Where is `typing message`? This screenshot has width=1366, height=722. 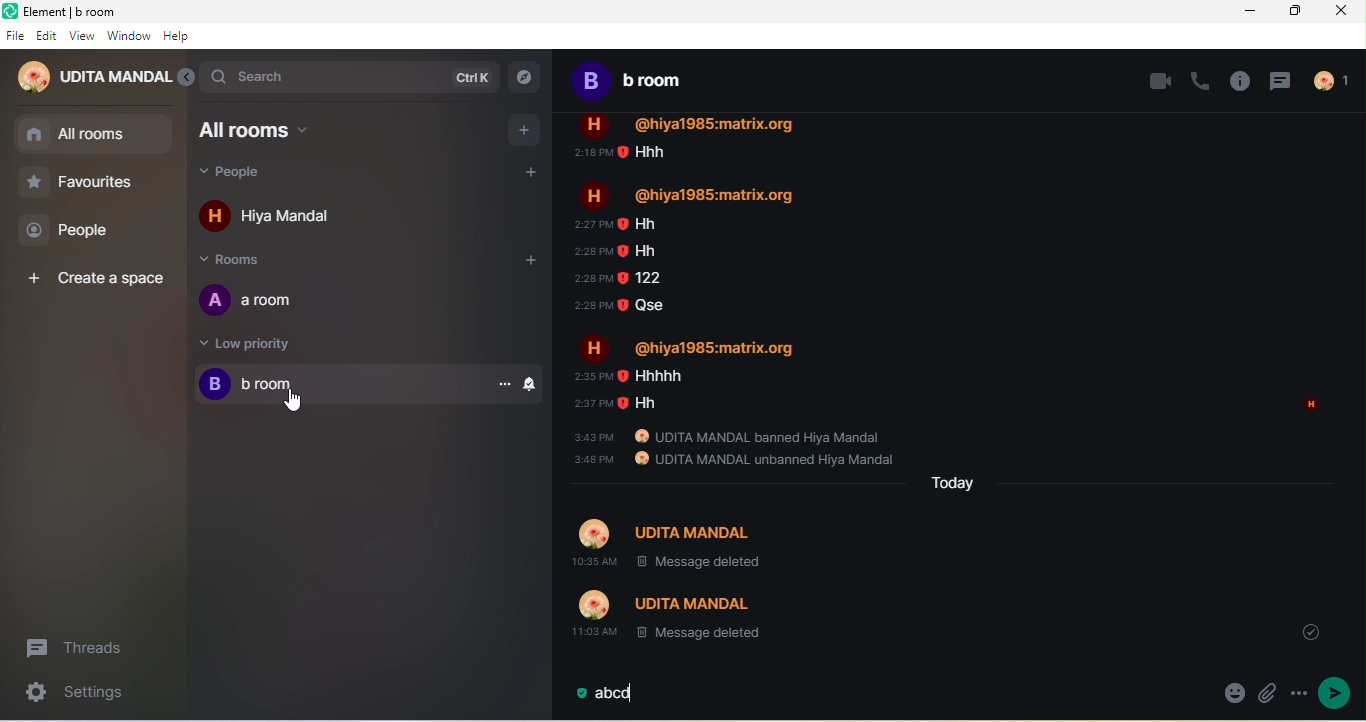
typing message is located at coordinates (615, 697).